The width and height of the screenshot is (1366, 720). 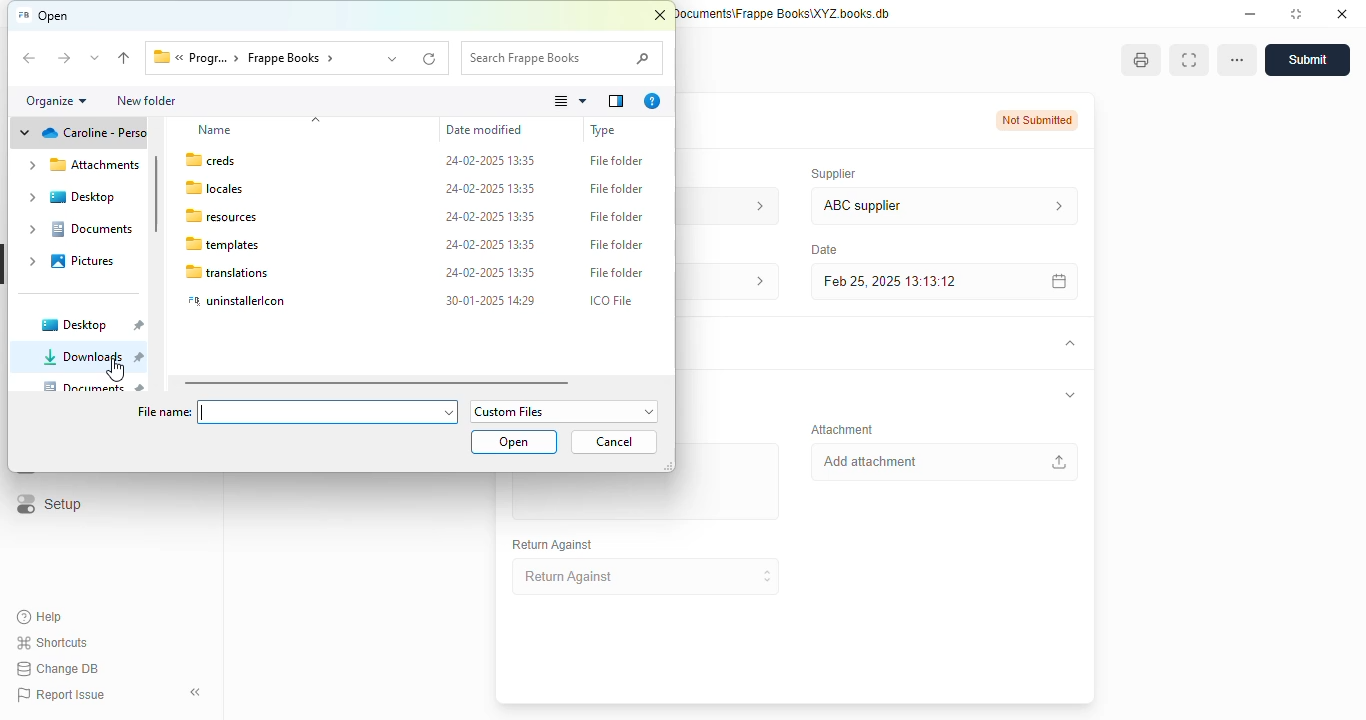 I want to click on return against, so click(x=553, y=545).